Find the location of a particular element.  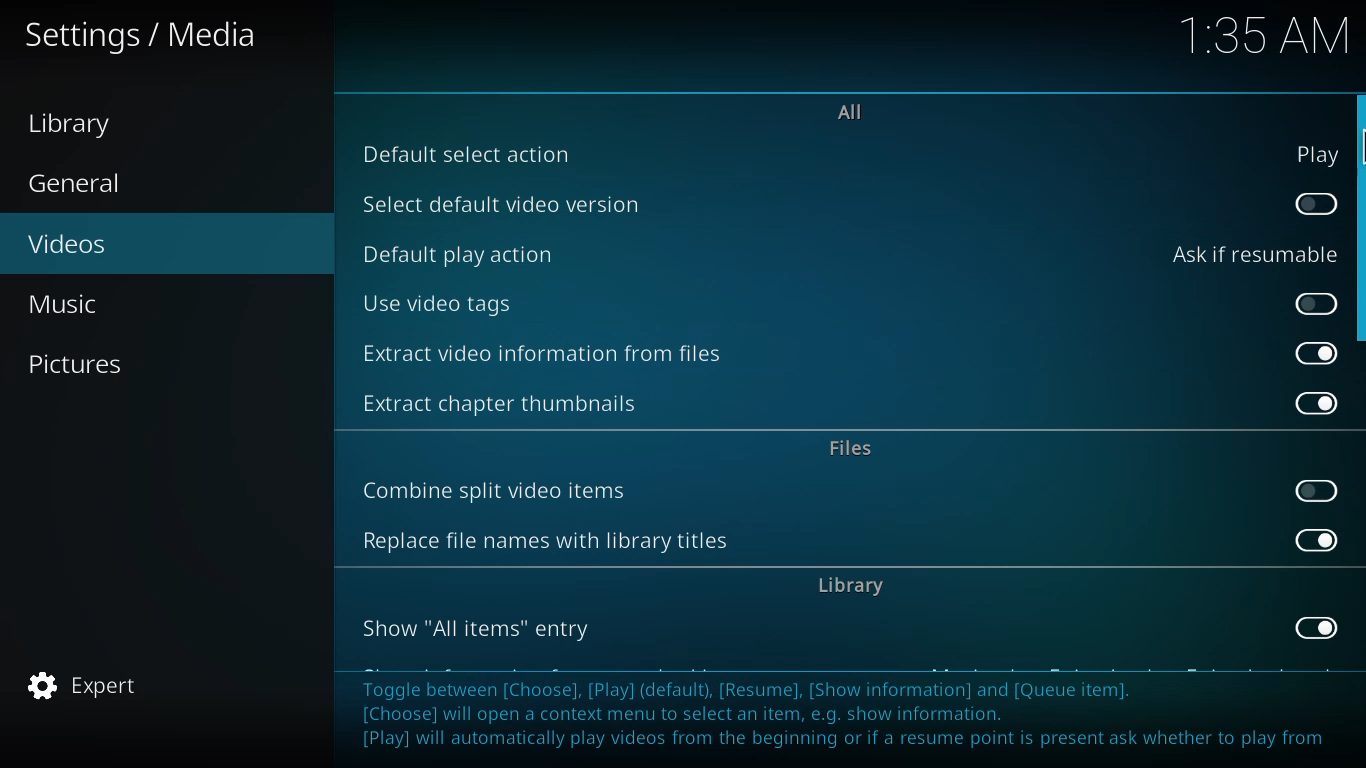

replace file names is located at coordinates (543, 542).